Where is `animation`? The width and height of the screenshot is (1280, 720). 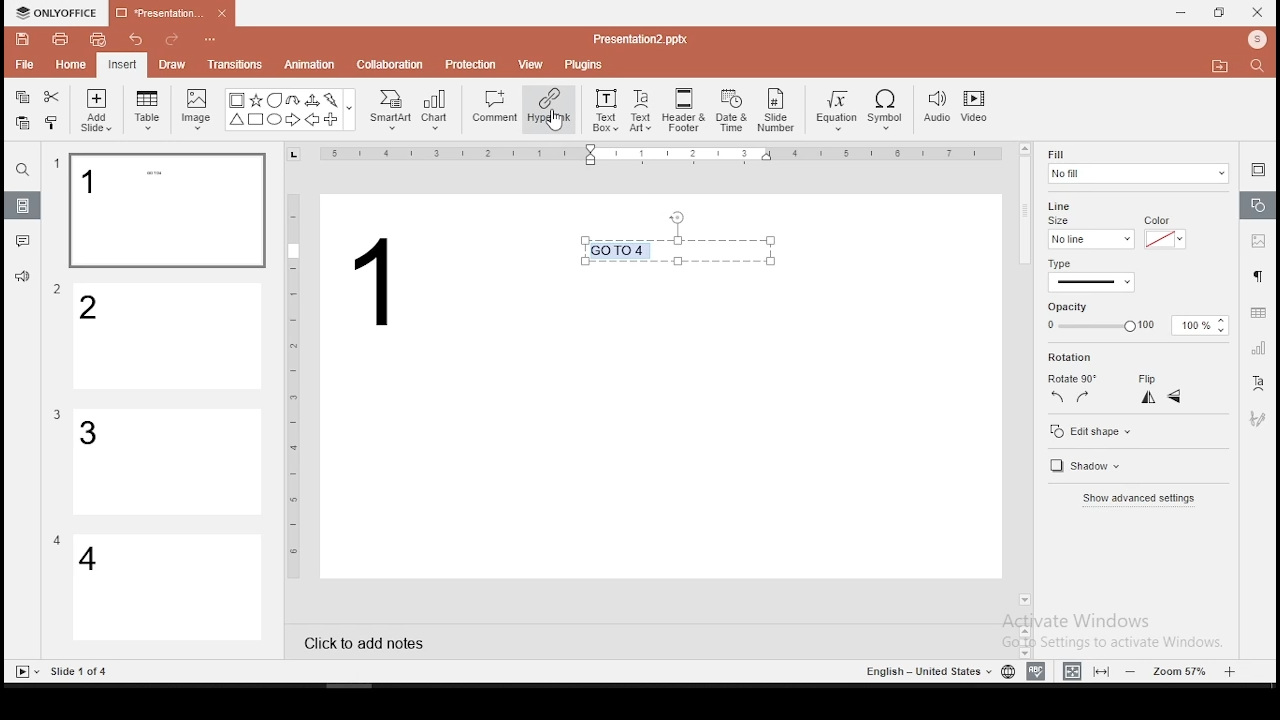 animation is located at coordinates (308, 66).